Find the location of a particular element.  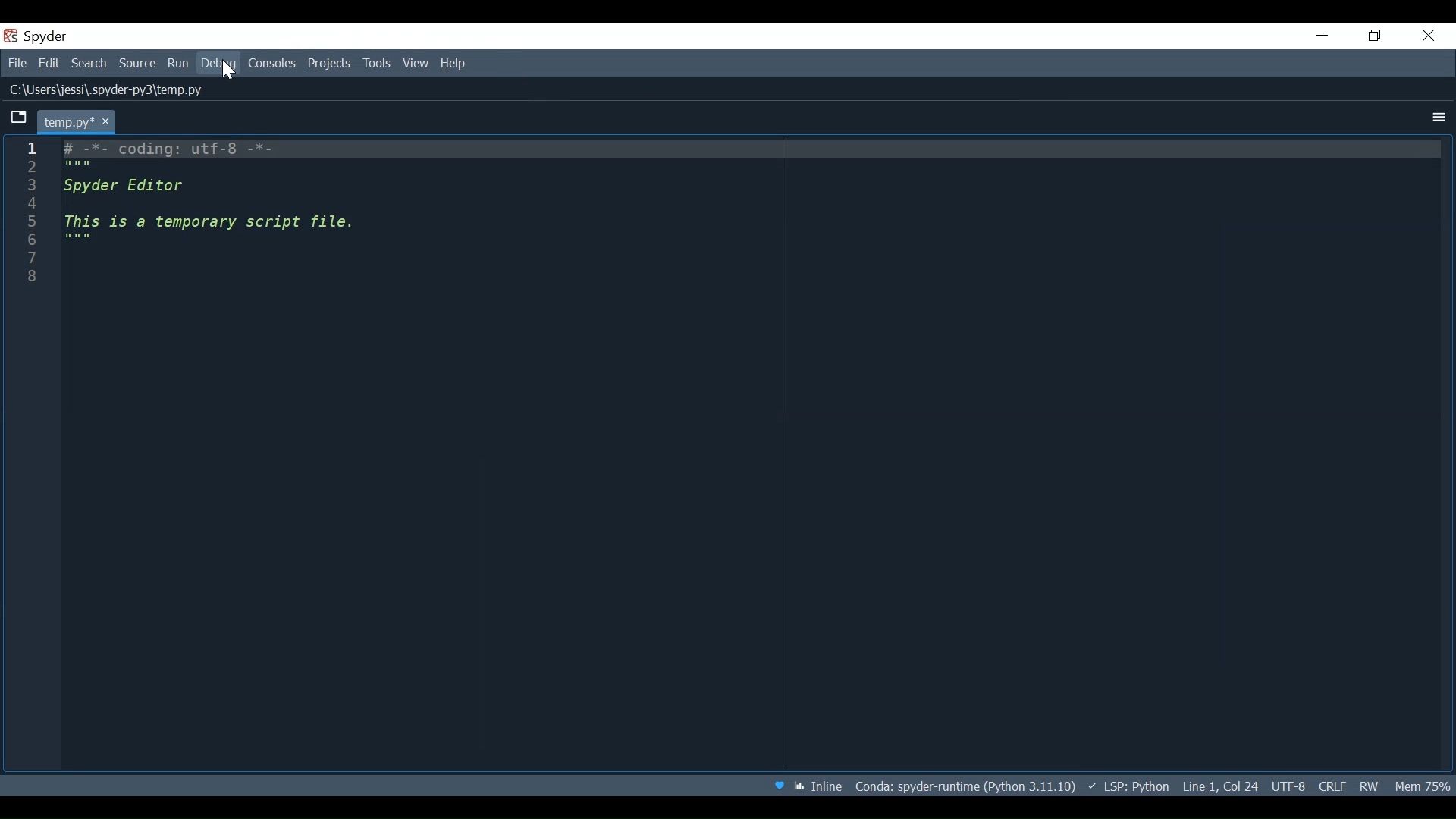

Projects is located at coordinates (329, 65).